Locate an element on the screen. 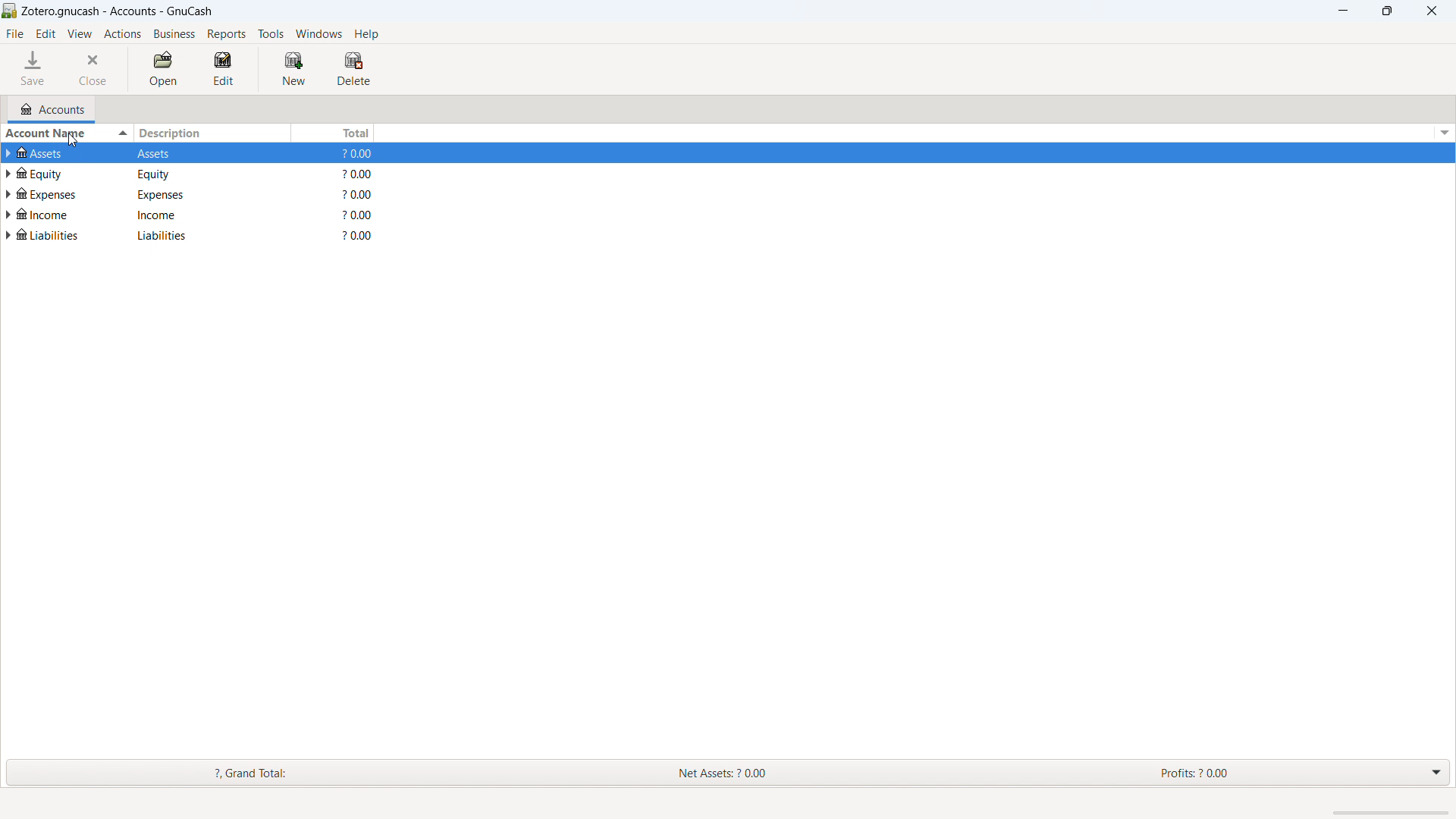 The image size is (1456, 819). windows is located at coordinates (318, 34).